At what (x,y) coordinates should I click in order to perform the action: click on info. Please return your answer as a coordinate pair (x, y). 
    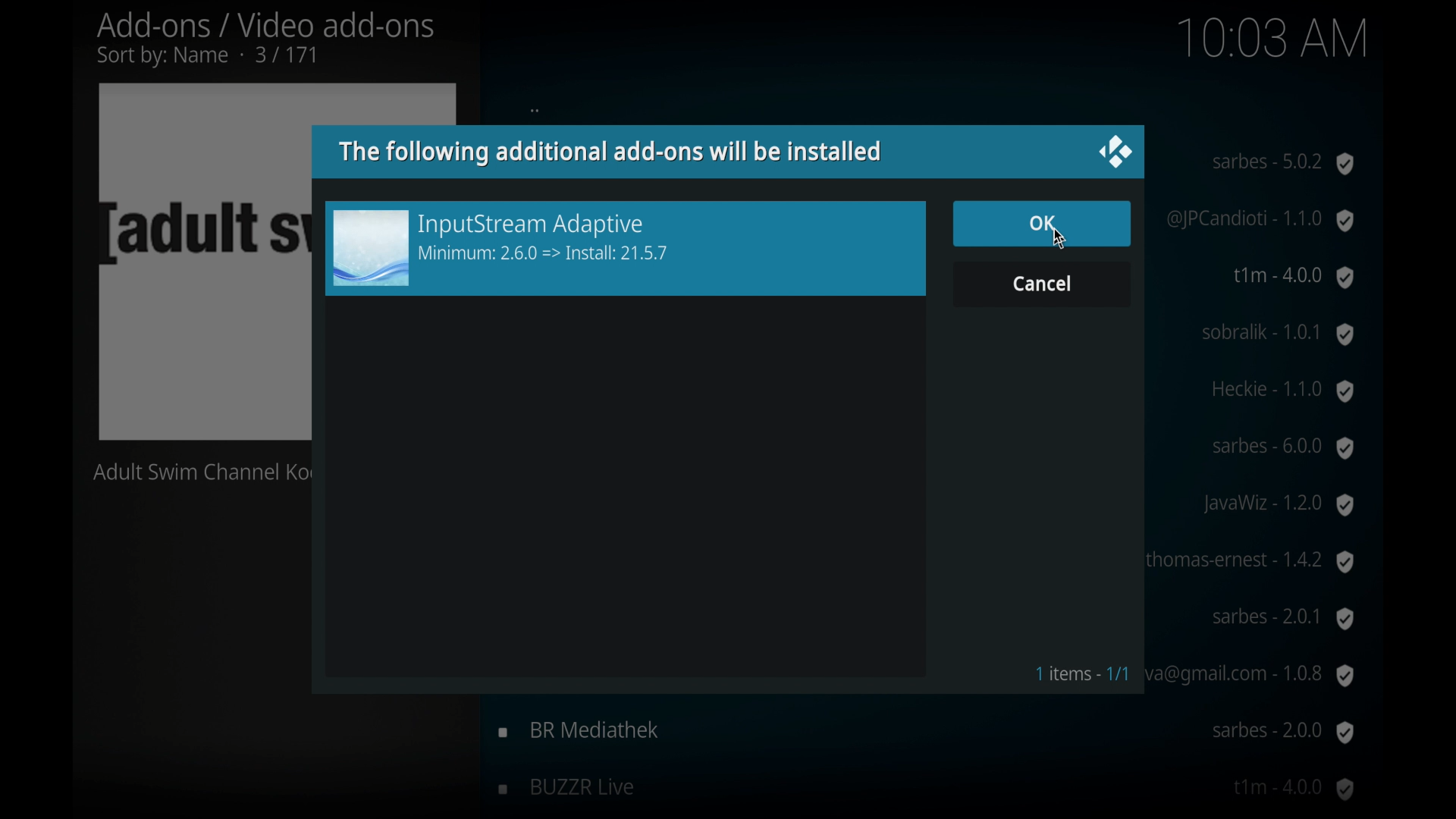
    Looking at the image, I should click on (611, 153).